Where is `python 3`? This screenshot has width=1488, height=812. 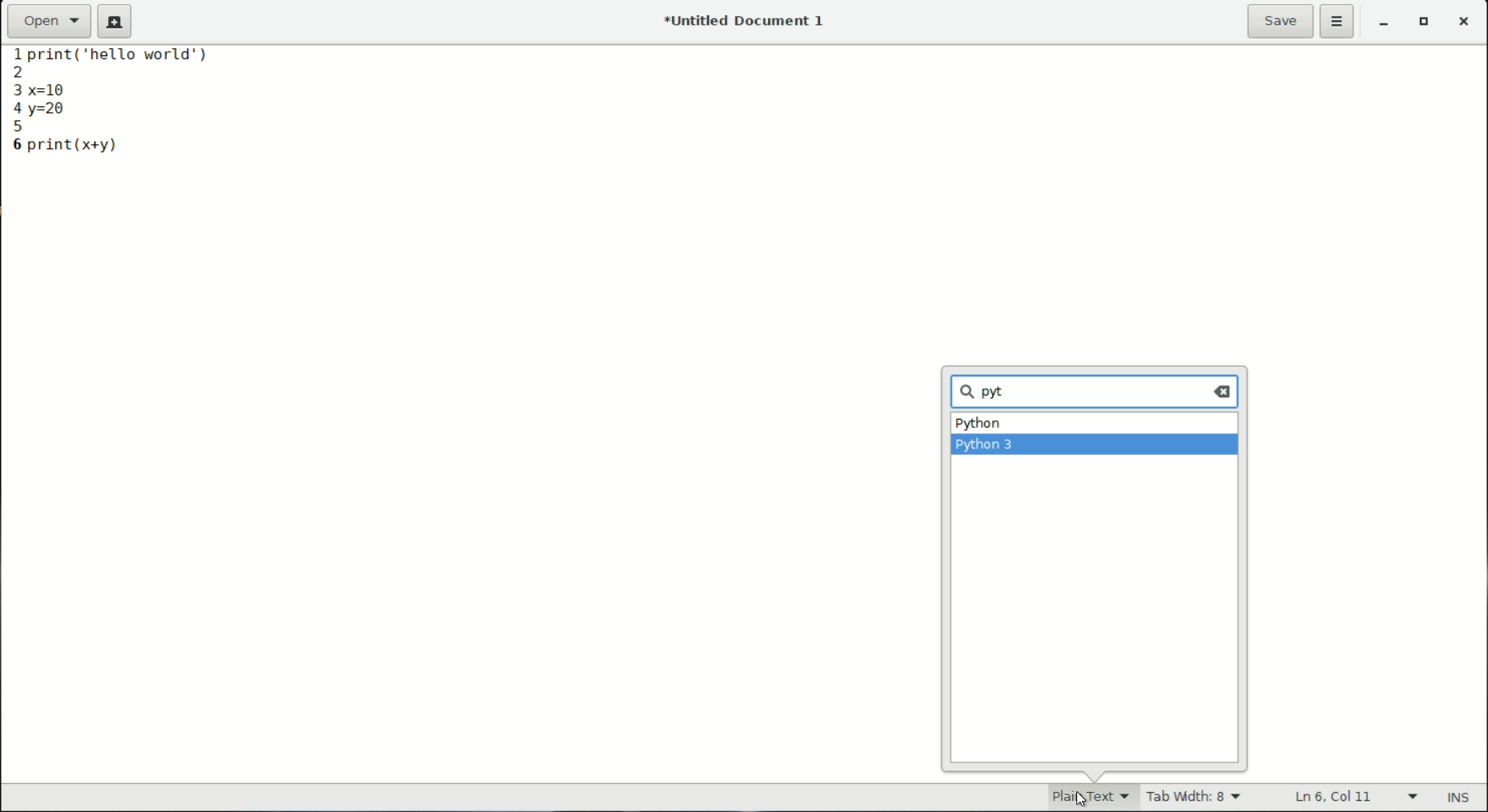 python 3 is located at coordinates (987, 445).